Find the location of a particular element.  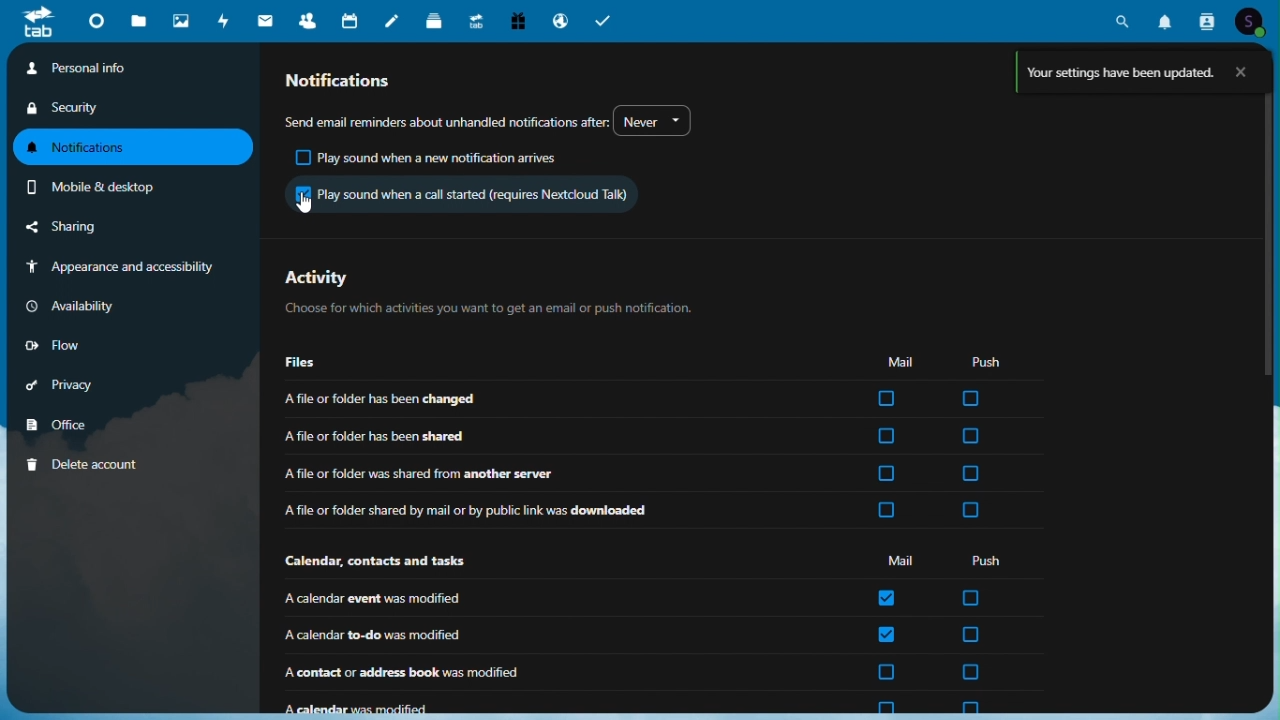

check box is located at coordinates (886, 399).